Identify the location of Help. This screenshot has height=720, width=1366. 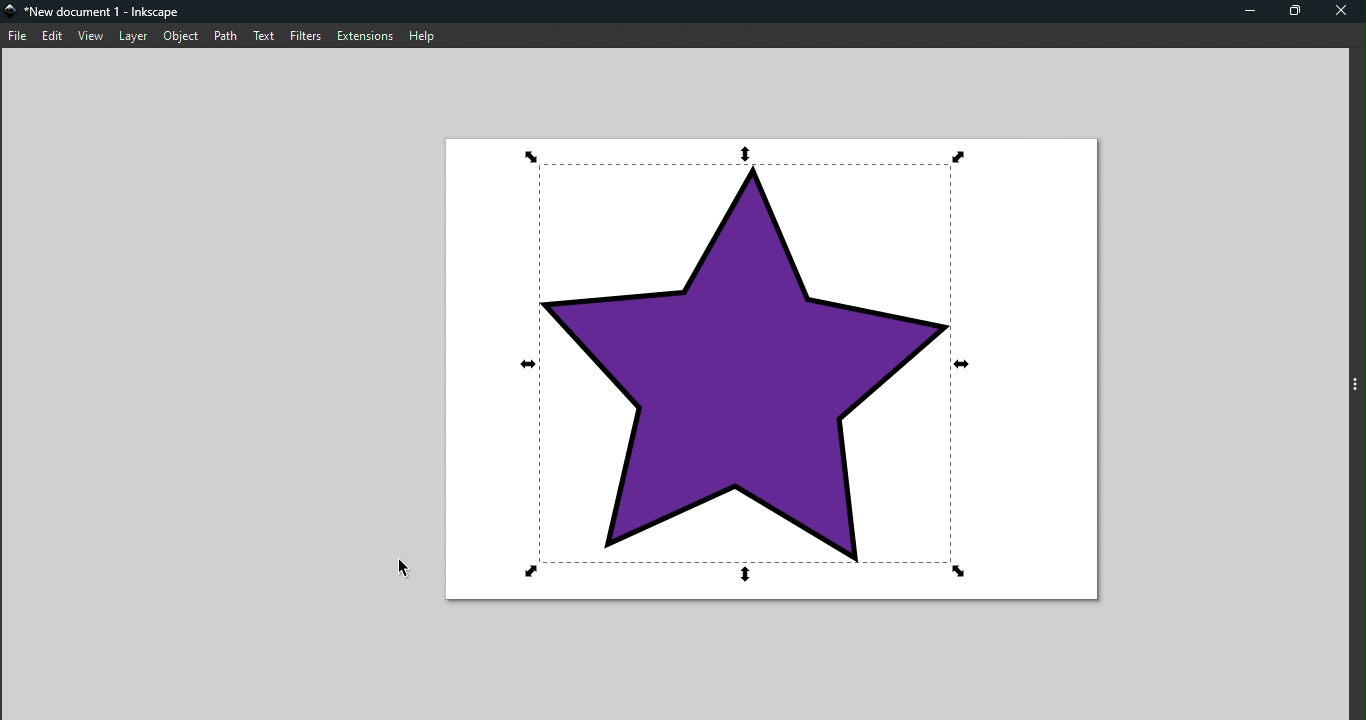
(424, 35).